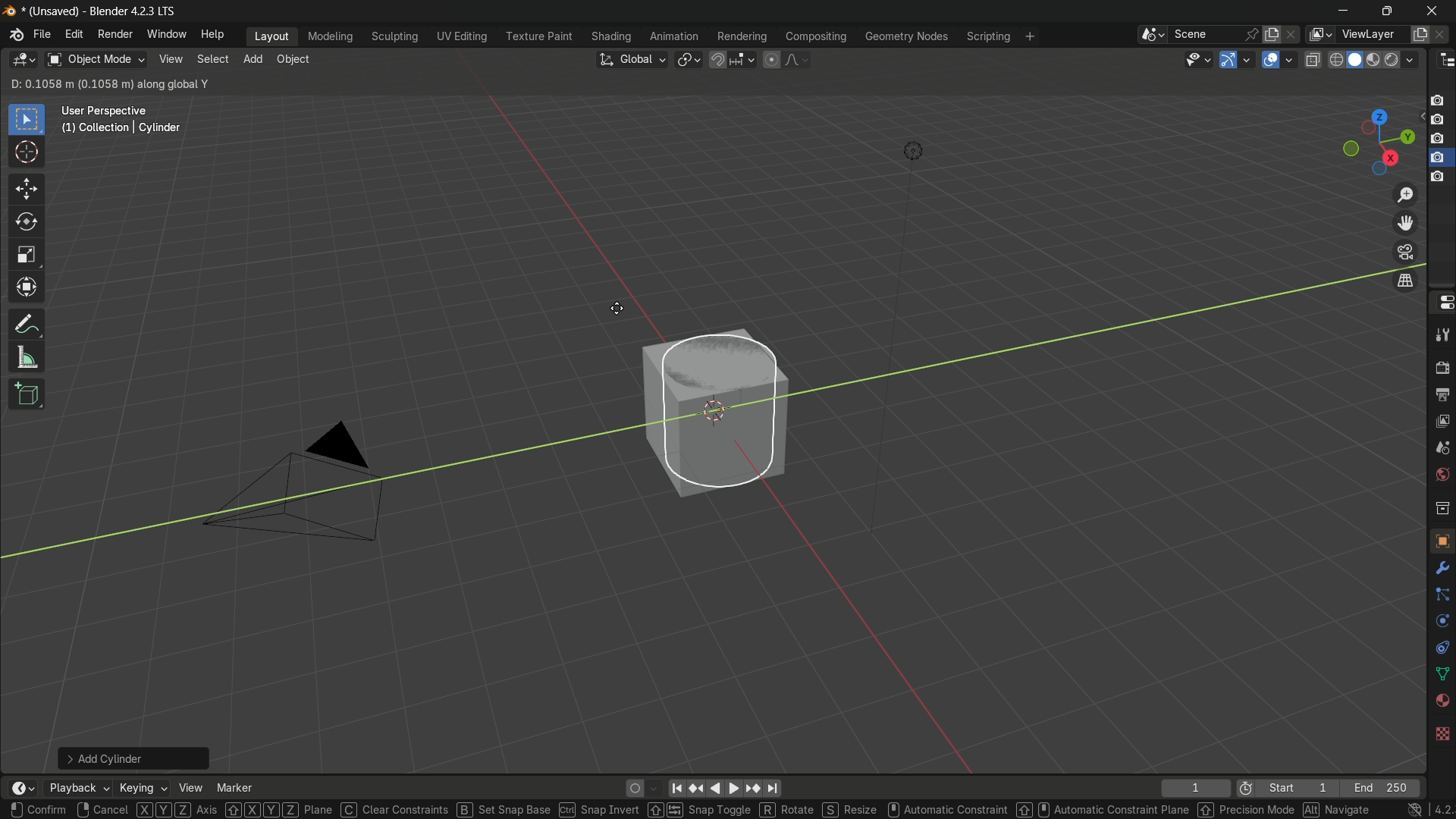 This screenshot has width=1456, height=819. Describe the element at coordinates (27, 121) in the screenshot. I see `select box` at that location.